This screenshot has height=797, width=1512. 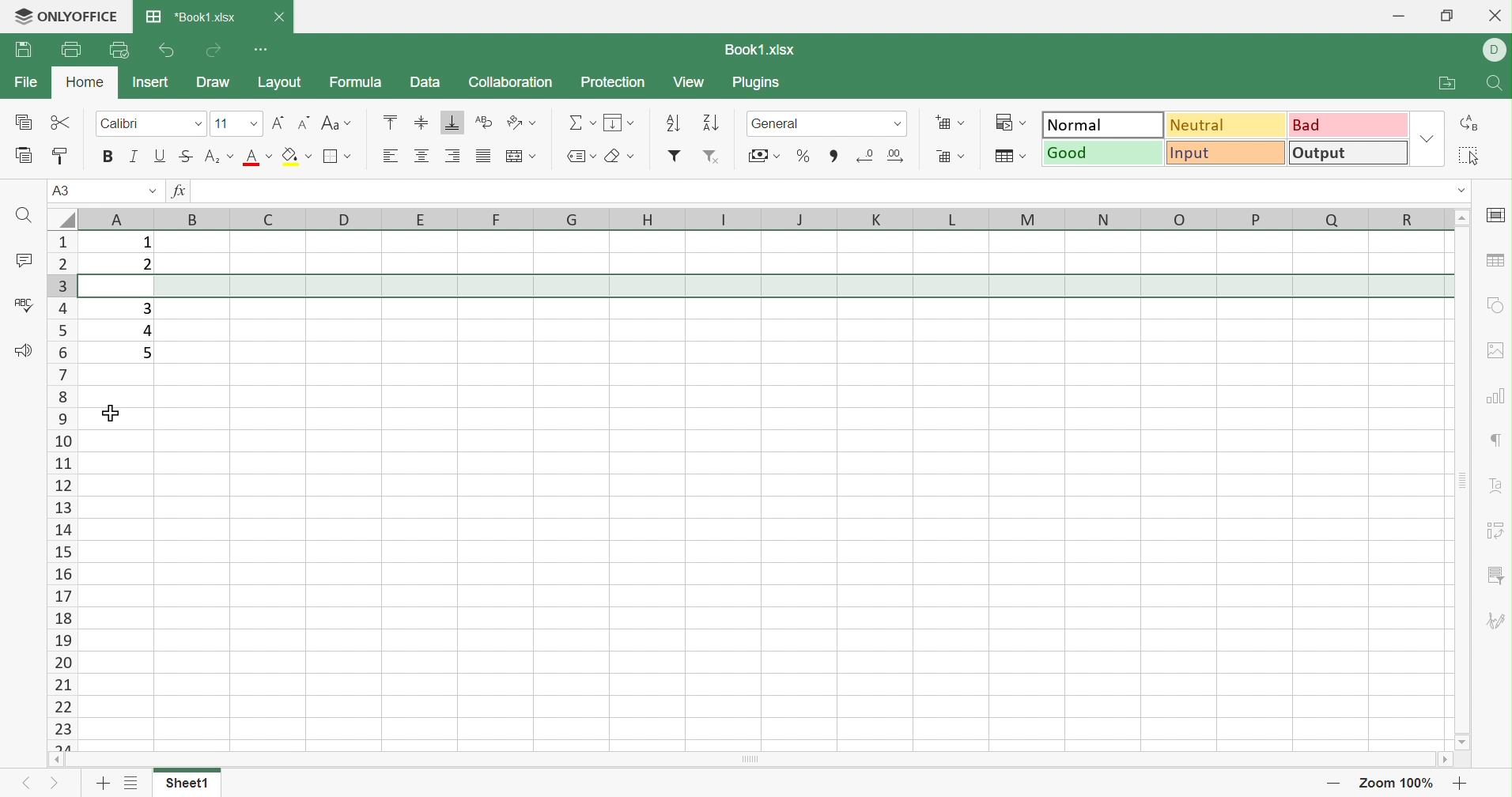 I want to click on Insert cells, so click(x=941, y=123).